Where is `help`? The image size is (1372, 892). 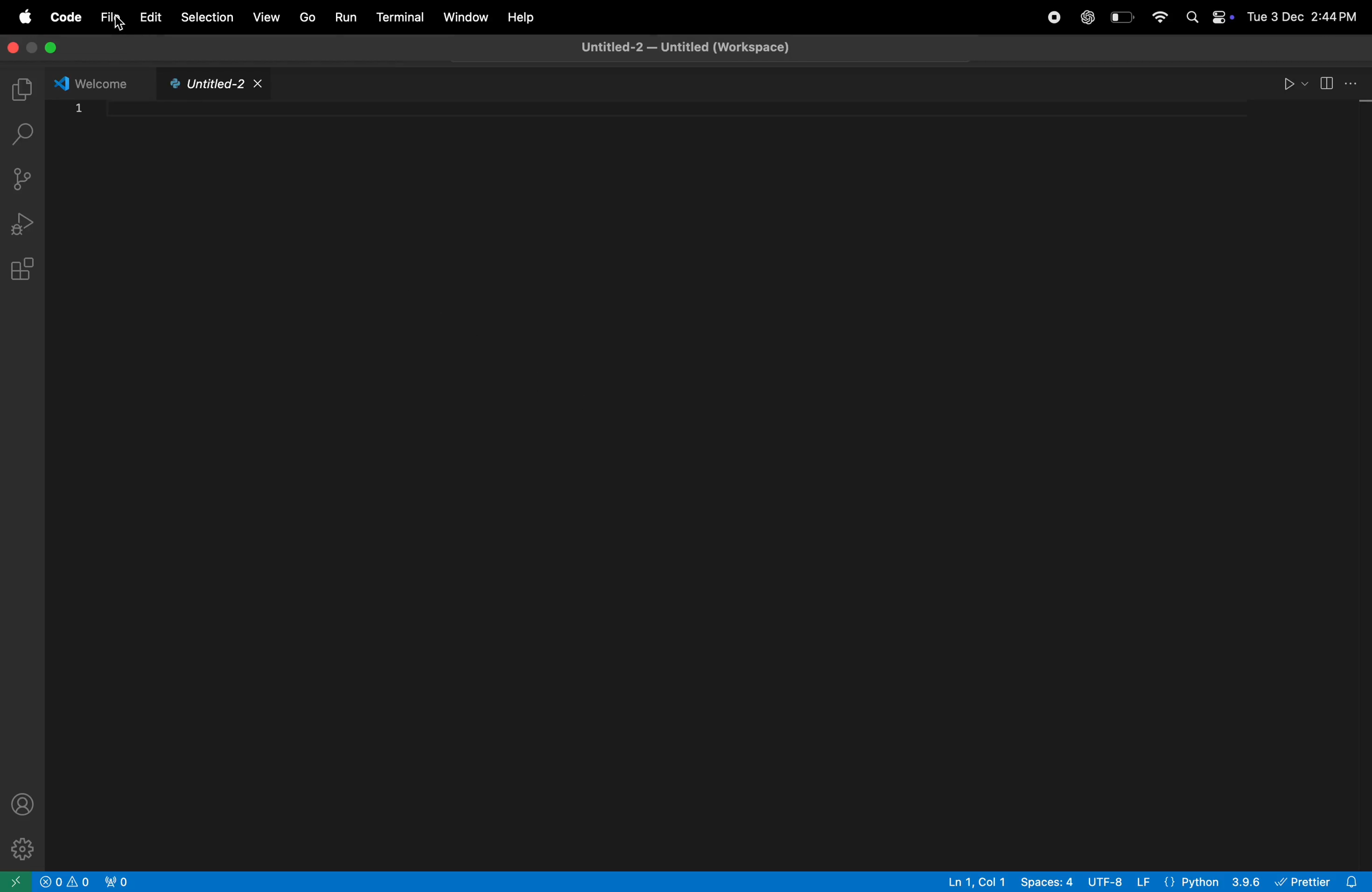
help is located at coordinates (520, 17).